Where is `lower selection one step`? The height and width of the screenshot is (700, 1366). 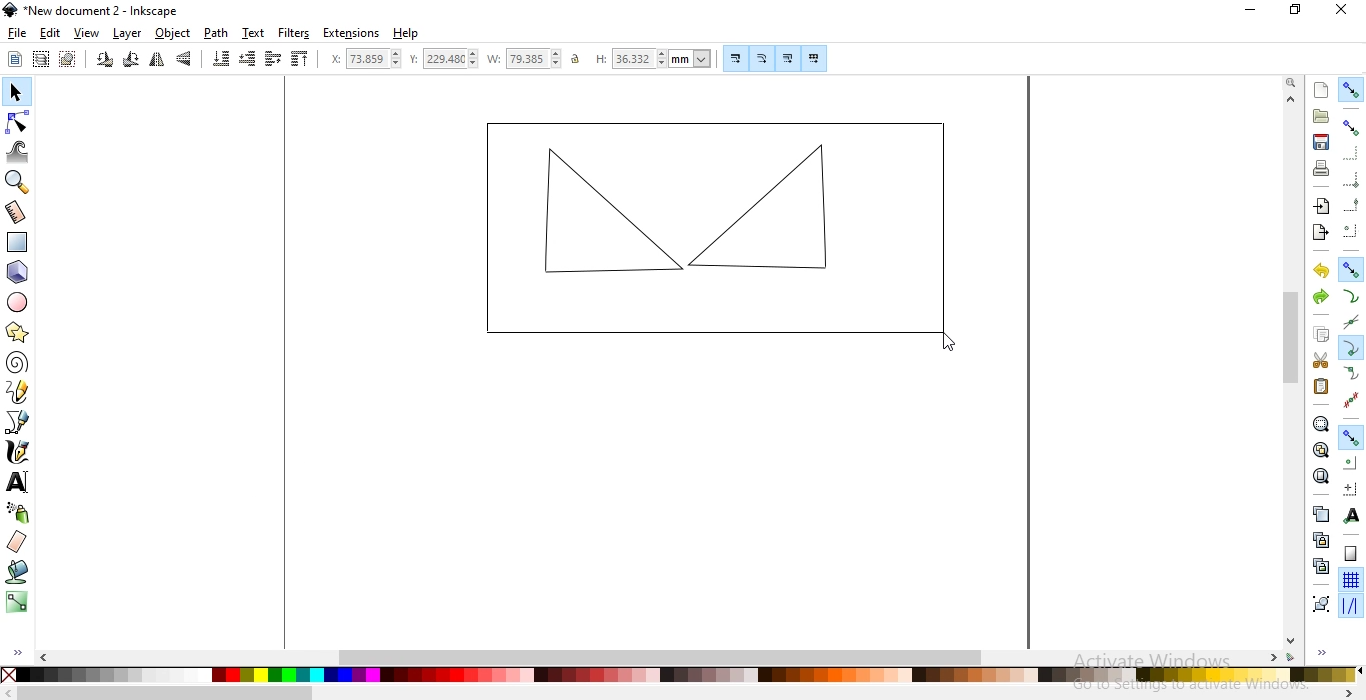
lower selection one step is located at coordinates (248, 60).